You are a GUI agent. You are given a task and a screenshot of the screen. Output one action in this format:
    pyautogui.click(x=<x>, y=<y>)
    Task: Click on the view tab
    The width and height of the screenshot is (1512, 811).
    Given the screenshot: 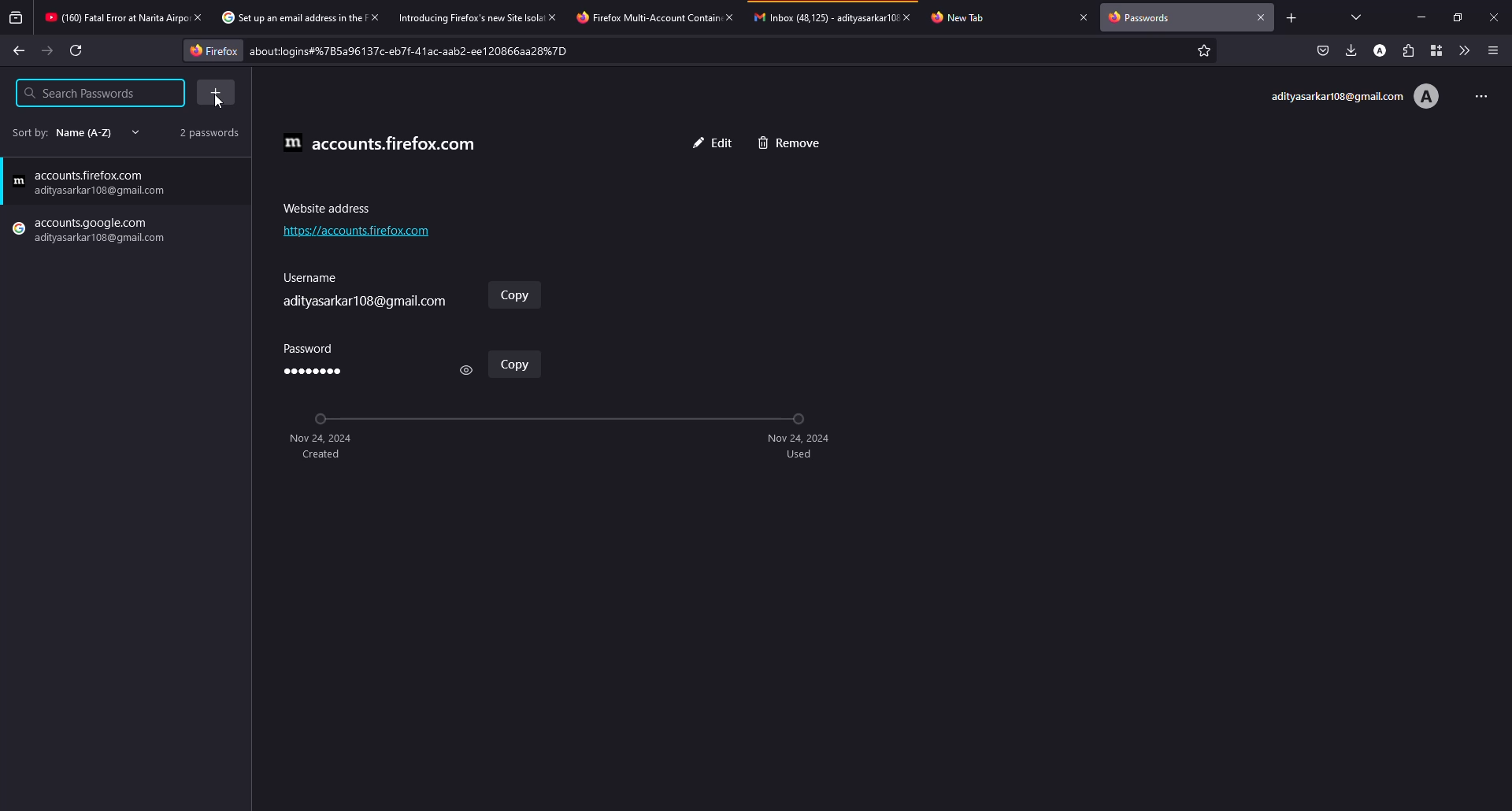 What is the action you would take?
    pyautogui.click(x=1357, y=17)
    